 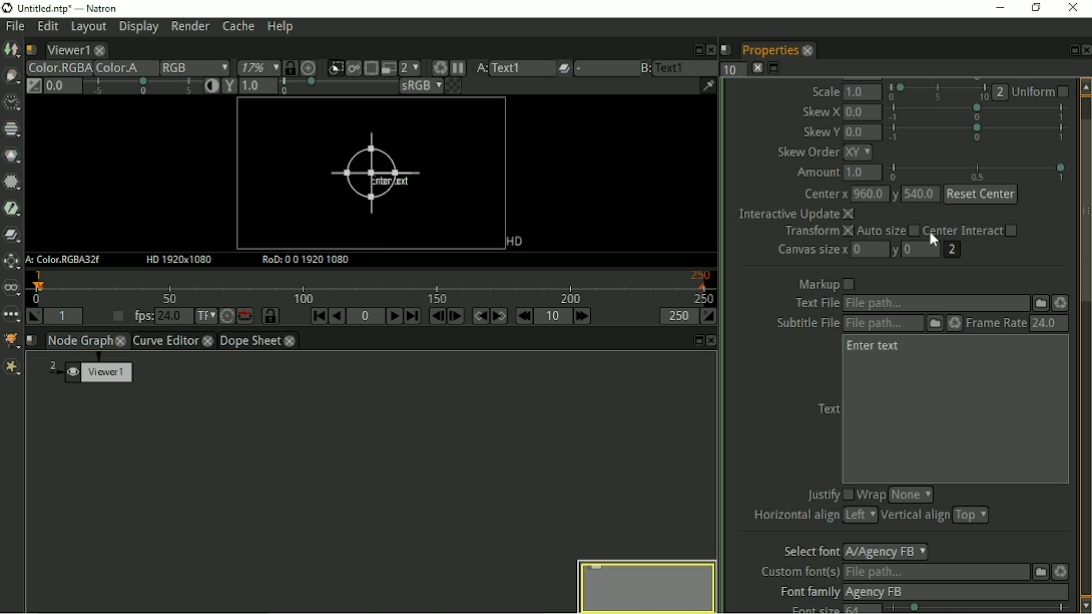 I want to click on Scale, so click(x=826, y=91).